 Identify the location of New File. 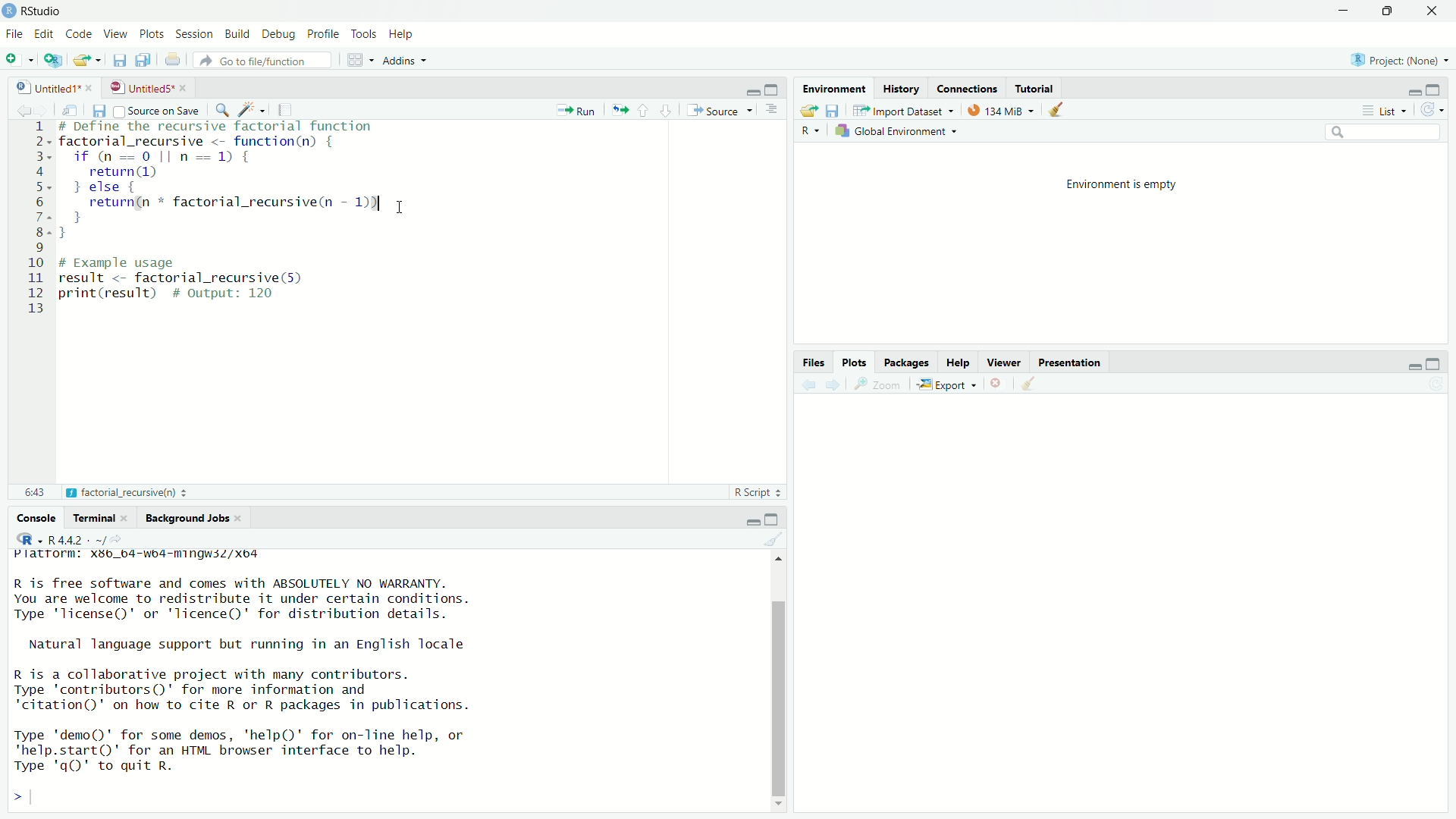
(18, 60).